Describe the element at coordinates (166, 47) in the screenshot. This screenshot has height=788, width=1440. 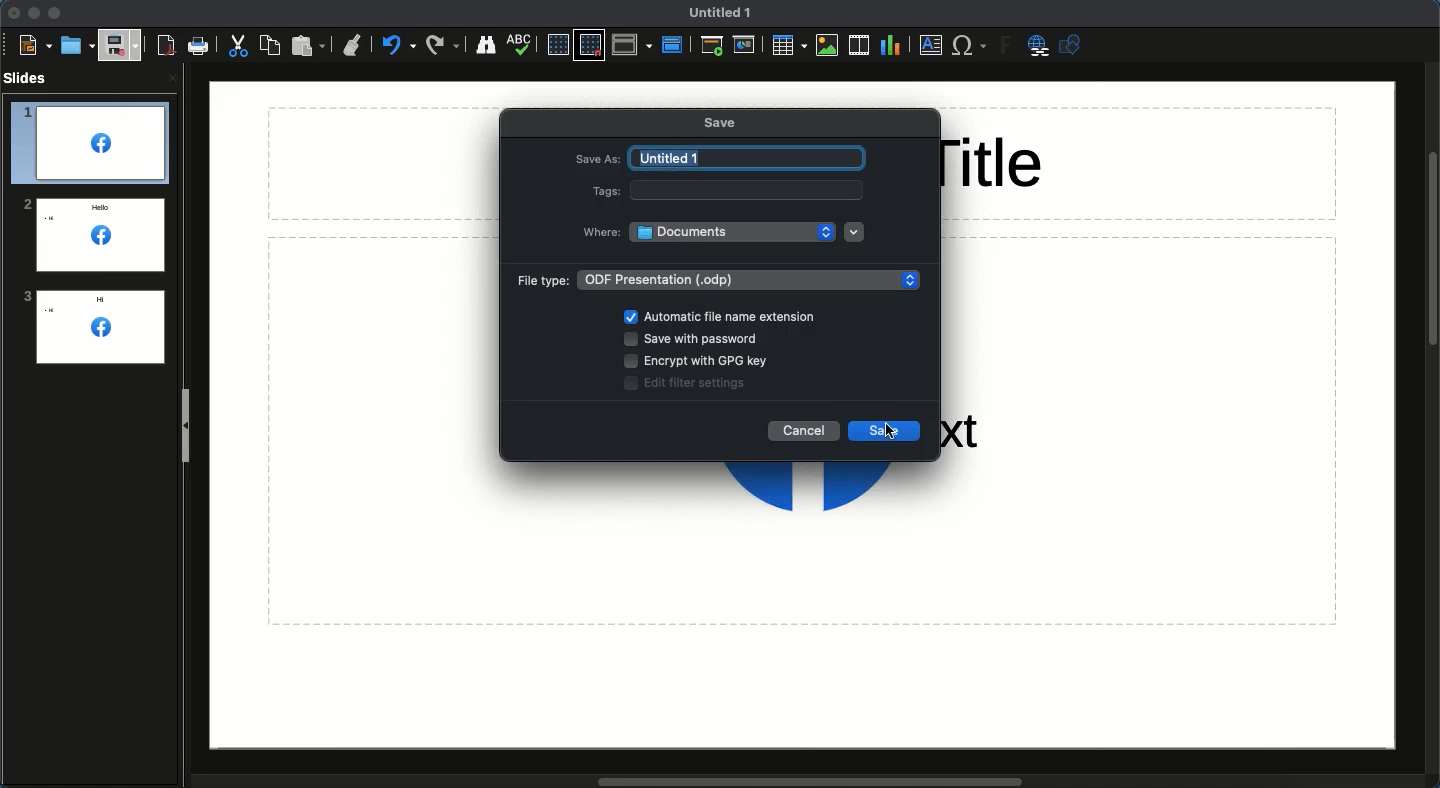
I see `Export as PDF` at that location.